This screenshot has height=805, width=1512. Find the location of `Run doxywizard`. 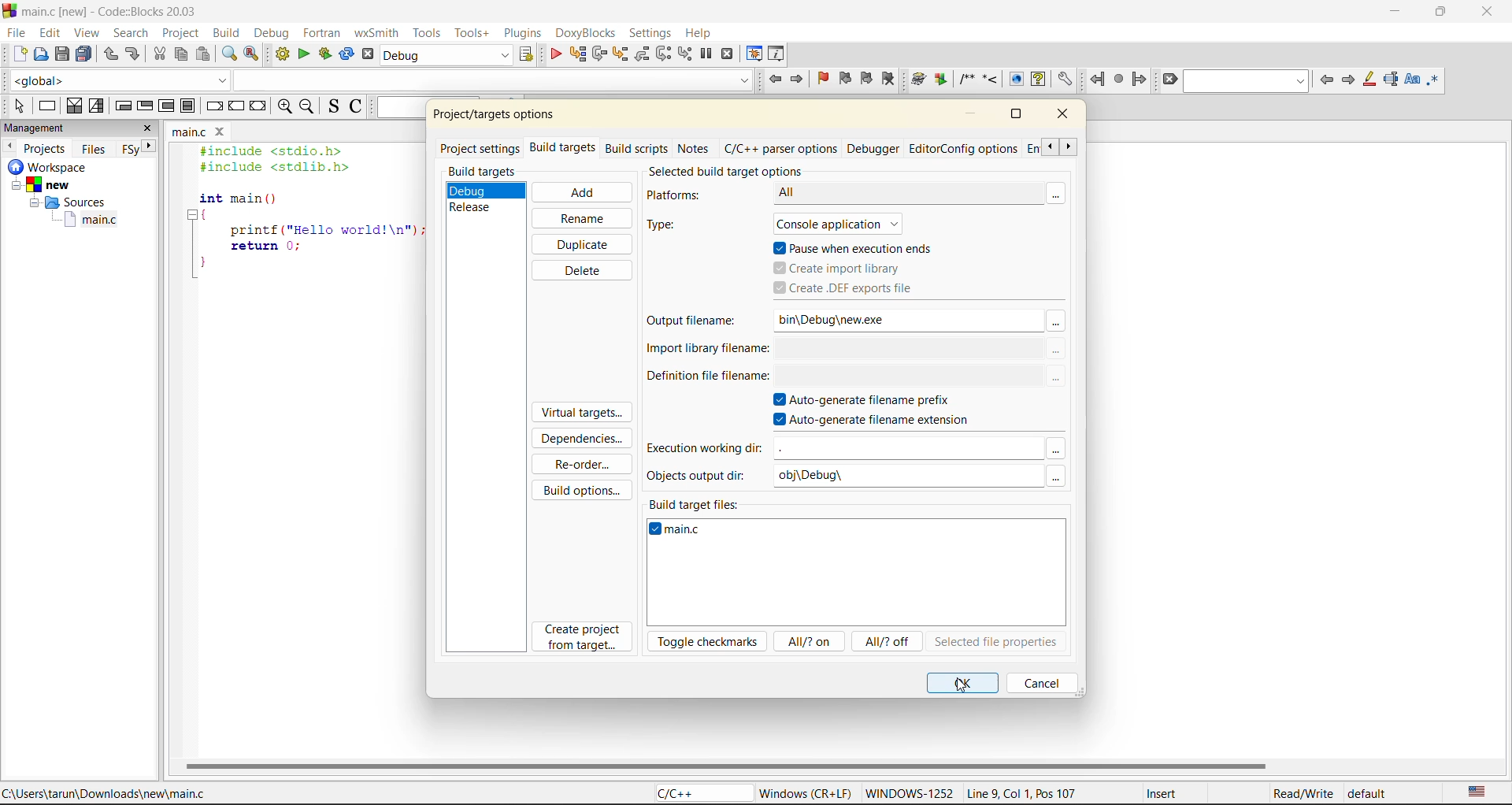

Run doxywizard is located at coordinates (917, 80).